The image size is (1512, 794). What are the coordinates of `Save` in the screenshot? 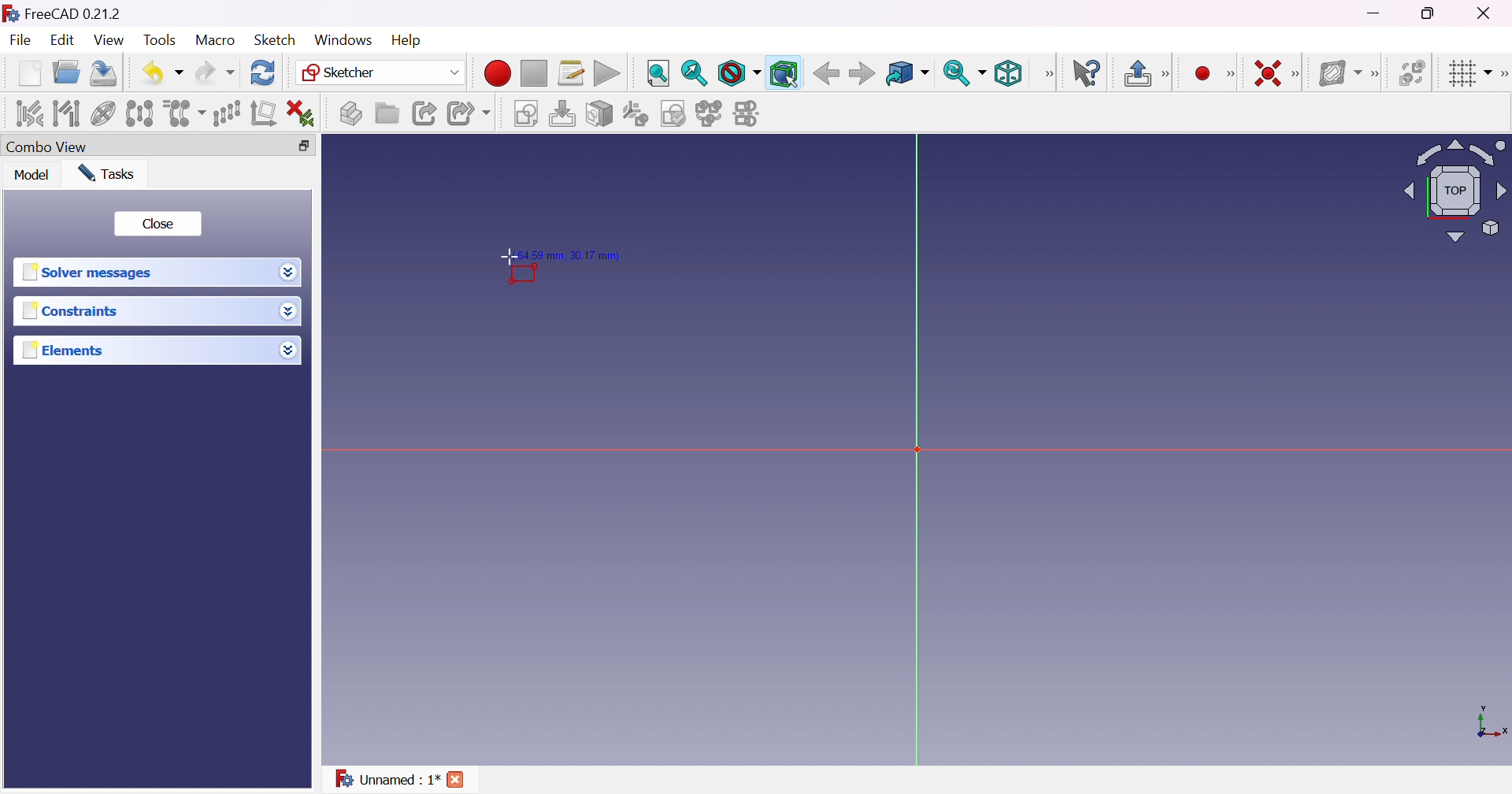 It's located at (105, 74).